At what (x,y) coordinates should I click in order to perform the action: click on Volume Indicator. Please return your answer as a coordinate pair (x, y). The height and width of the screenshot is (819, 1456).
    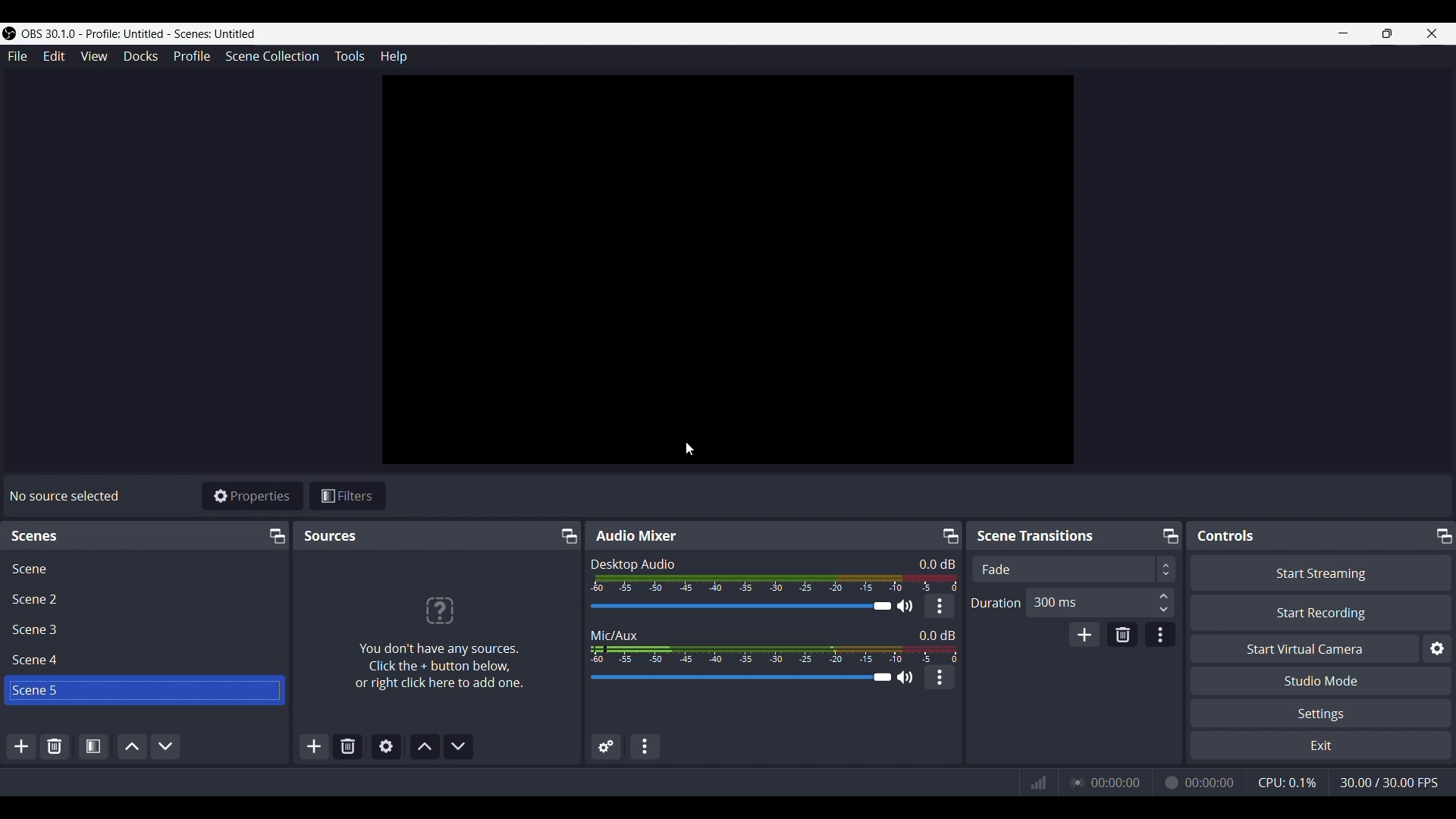
    Looking at the image, I should click on (774, 582).